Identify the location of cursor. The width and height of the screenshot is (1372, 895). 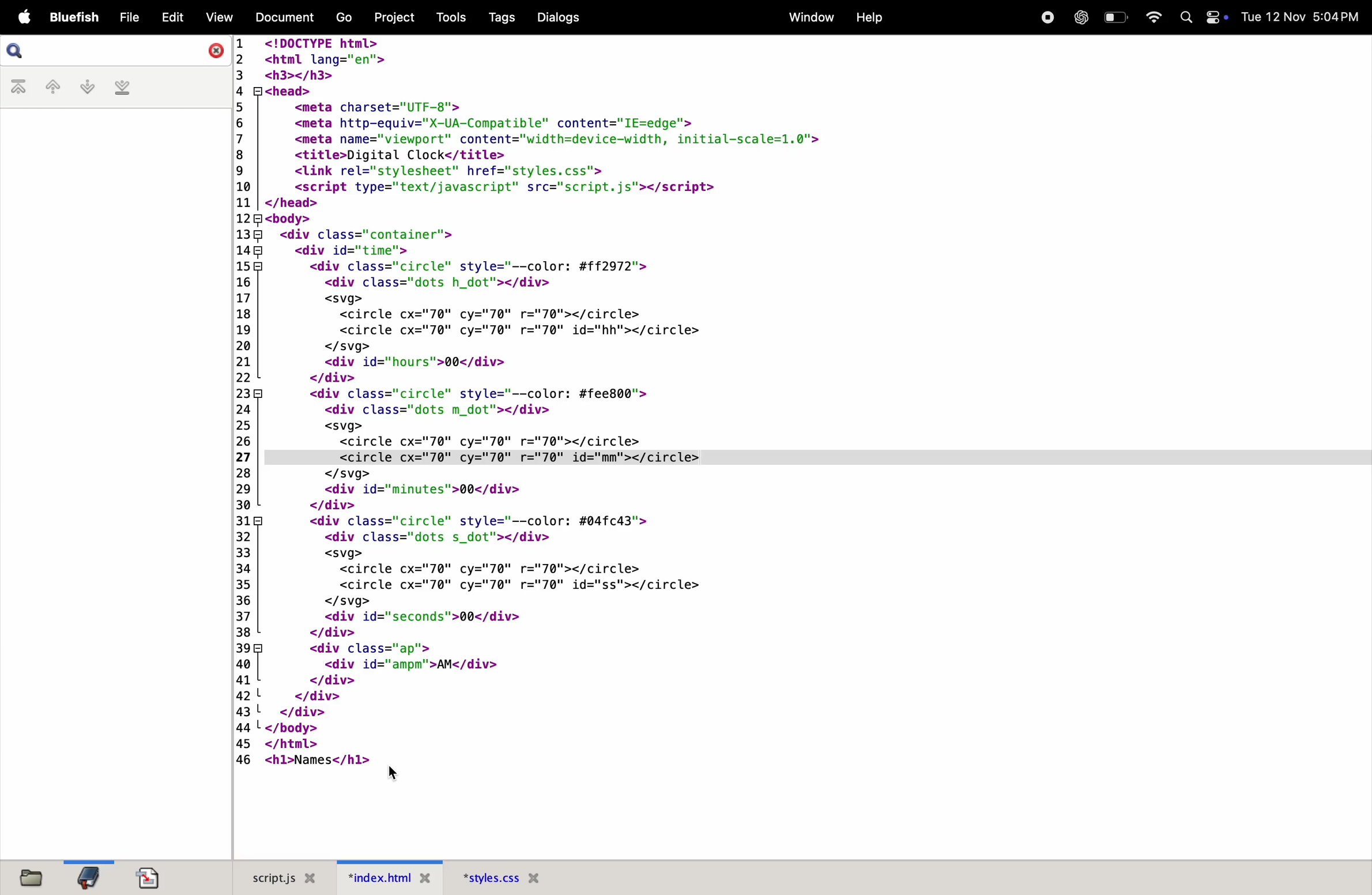
(394, 773).